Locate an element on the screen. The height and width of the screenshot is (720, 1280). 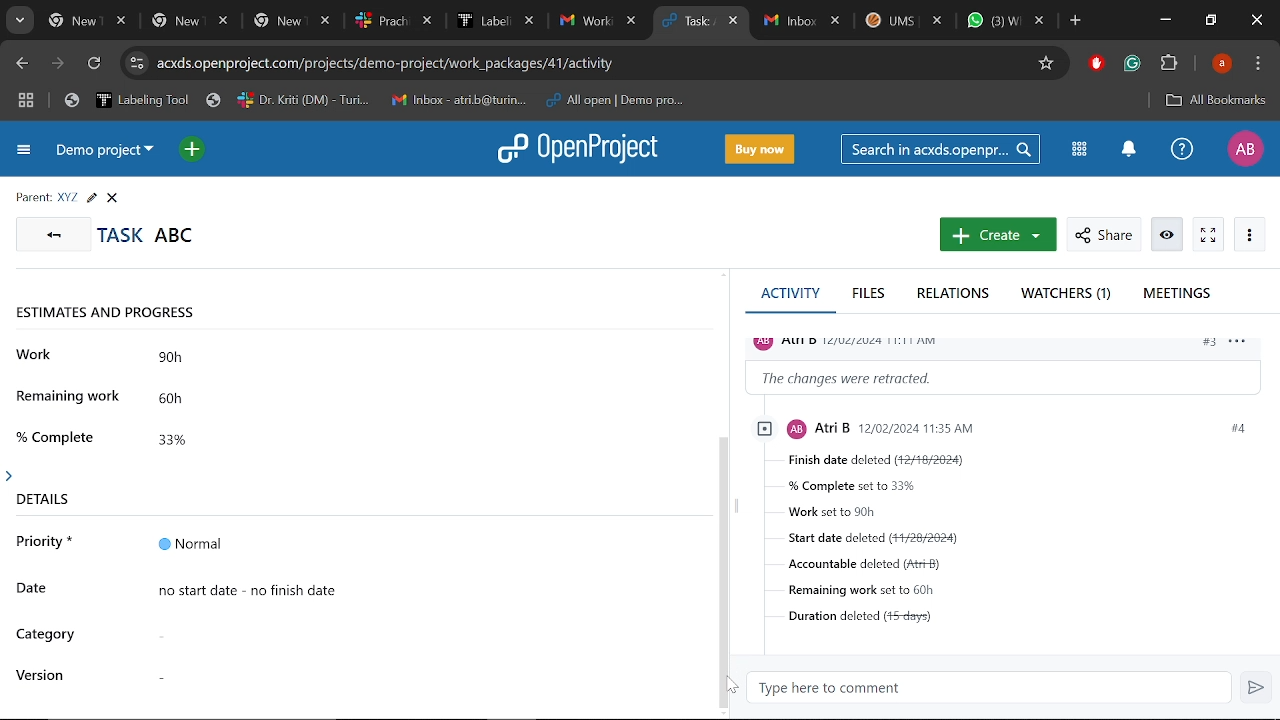
Send is located at coordinates (1255, 687).